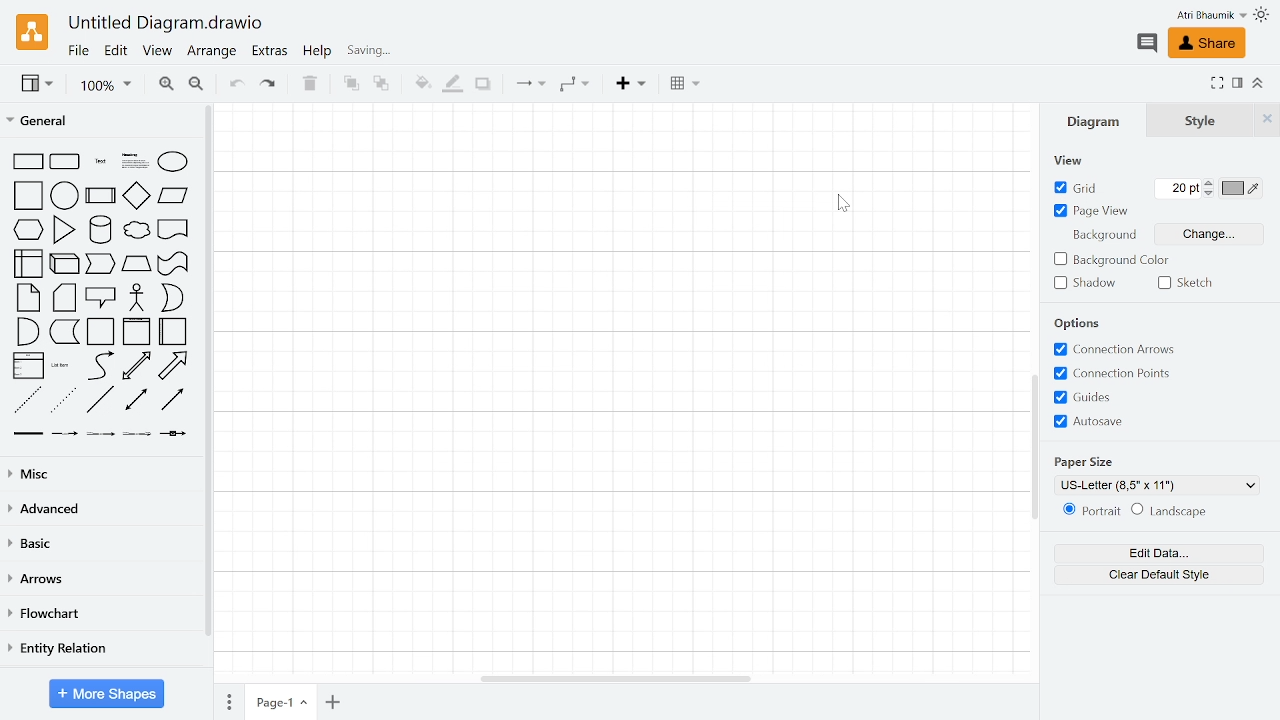  What do you see at coordinates (281, 703) in the screenshot?
I see `Current page` at bounding box center [281, 703].